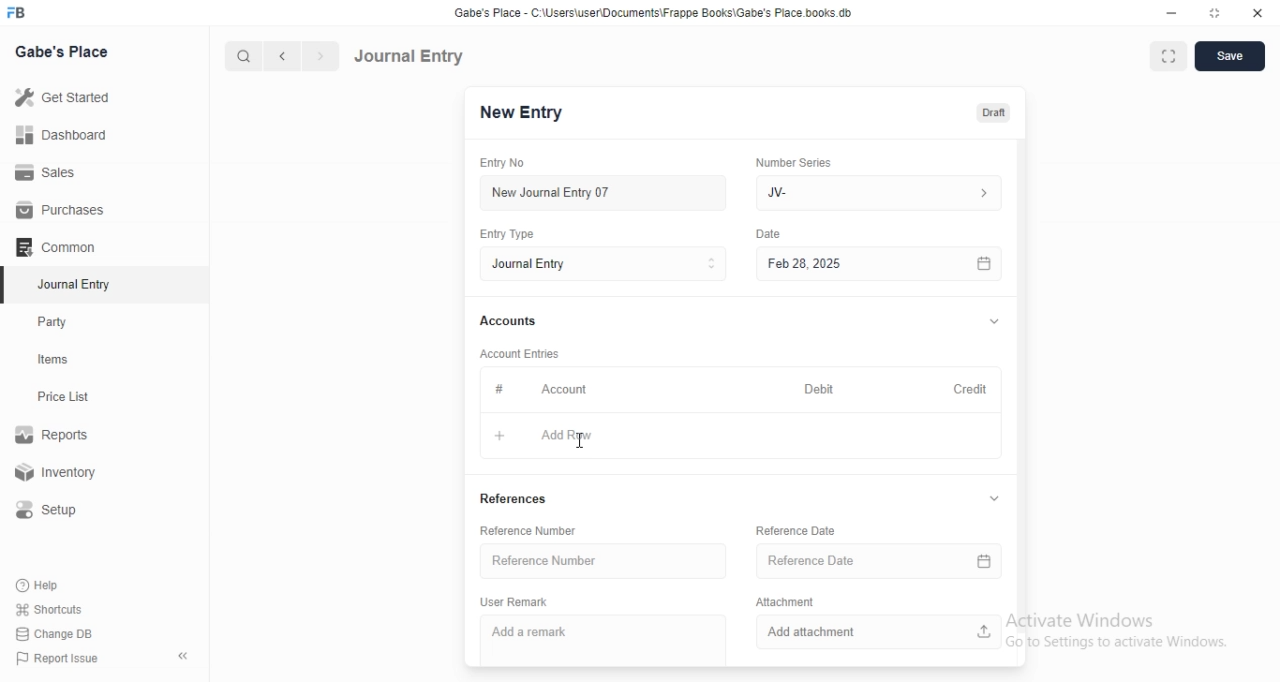 The height and width of the screenshot is (682, 1280). What do you see at coordinates (521, 113) in the screenshot?
I see `New Entry` at bounding box center [521, 113].